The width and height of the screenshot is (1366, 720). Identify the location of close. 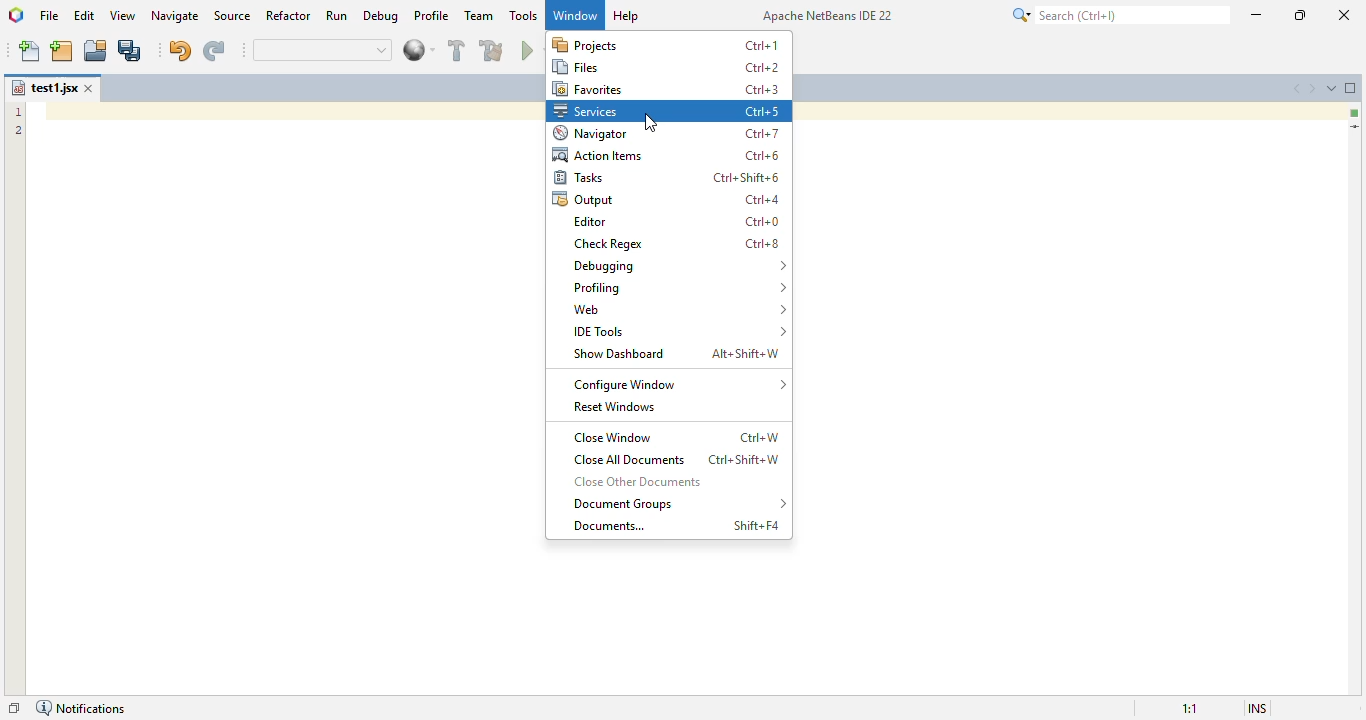
(90, 88).